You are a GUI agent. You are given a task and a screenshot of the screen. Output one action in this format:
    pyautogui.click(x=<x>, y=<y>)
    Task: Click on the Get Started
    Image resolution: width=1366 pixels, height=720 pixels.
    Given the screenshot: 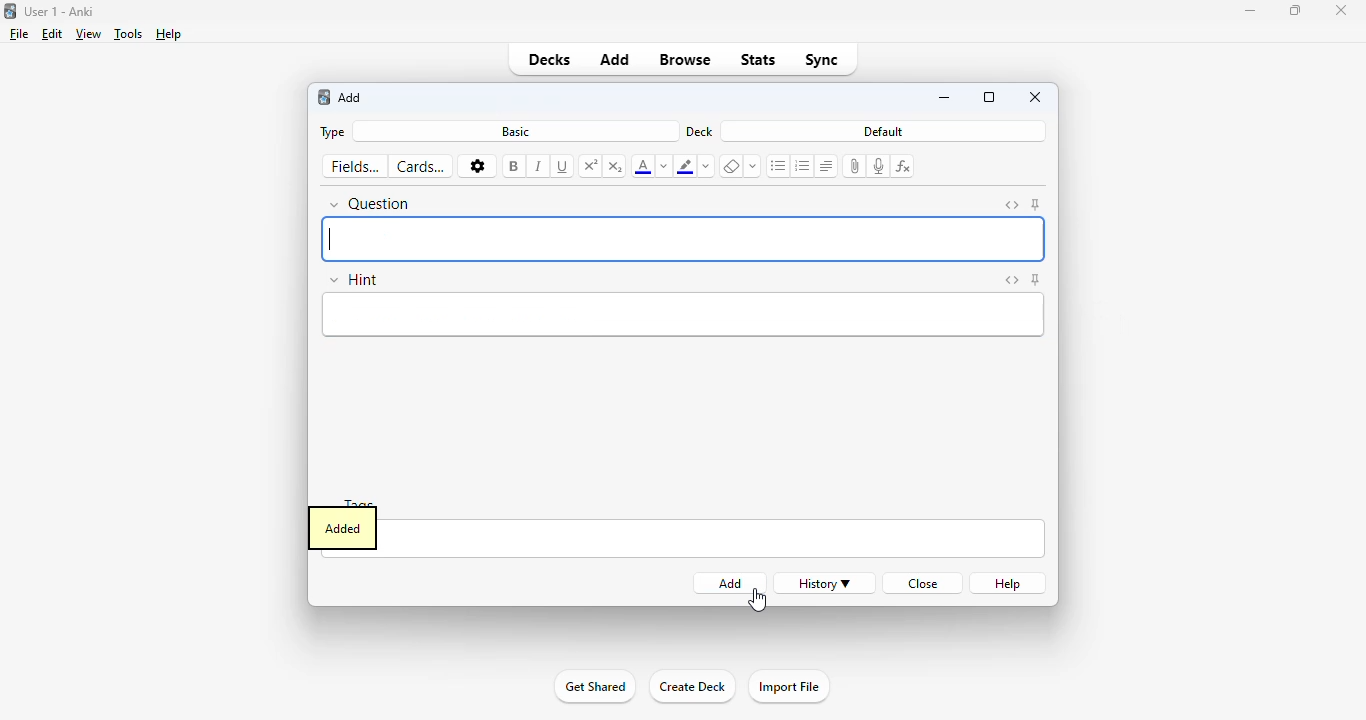 What is the action you would take?
    pyautogui.click(x=594, y=688)
    